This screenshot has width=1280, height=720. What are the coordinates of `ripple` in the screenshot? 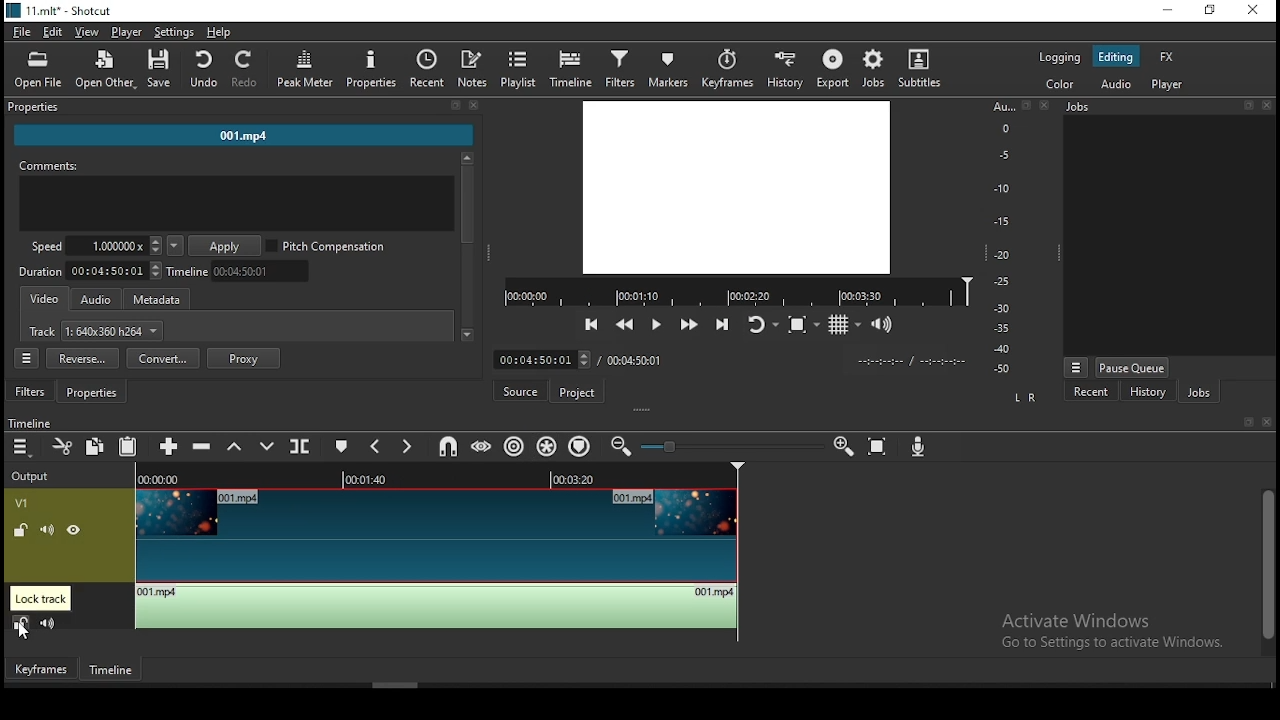 It's located at (513, 445).